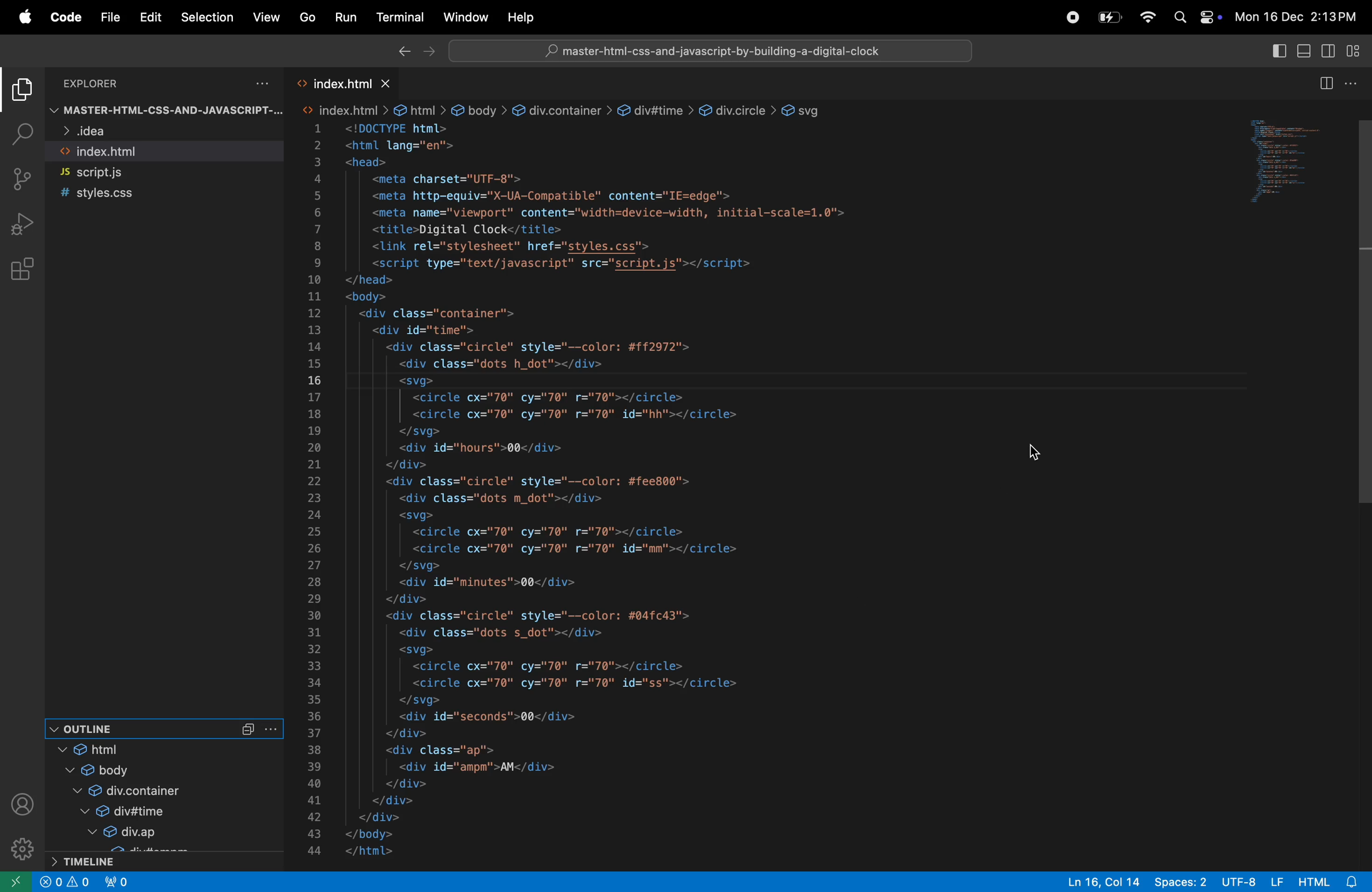 This screenshot has width=1372, height=892. What do you see at coordinates (25, 267) in the screenshot?
I see `extensions` at bounding box center [25, 267].